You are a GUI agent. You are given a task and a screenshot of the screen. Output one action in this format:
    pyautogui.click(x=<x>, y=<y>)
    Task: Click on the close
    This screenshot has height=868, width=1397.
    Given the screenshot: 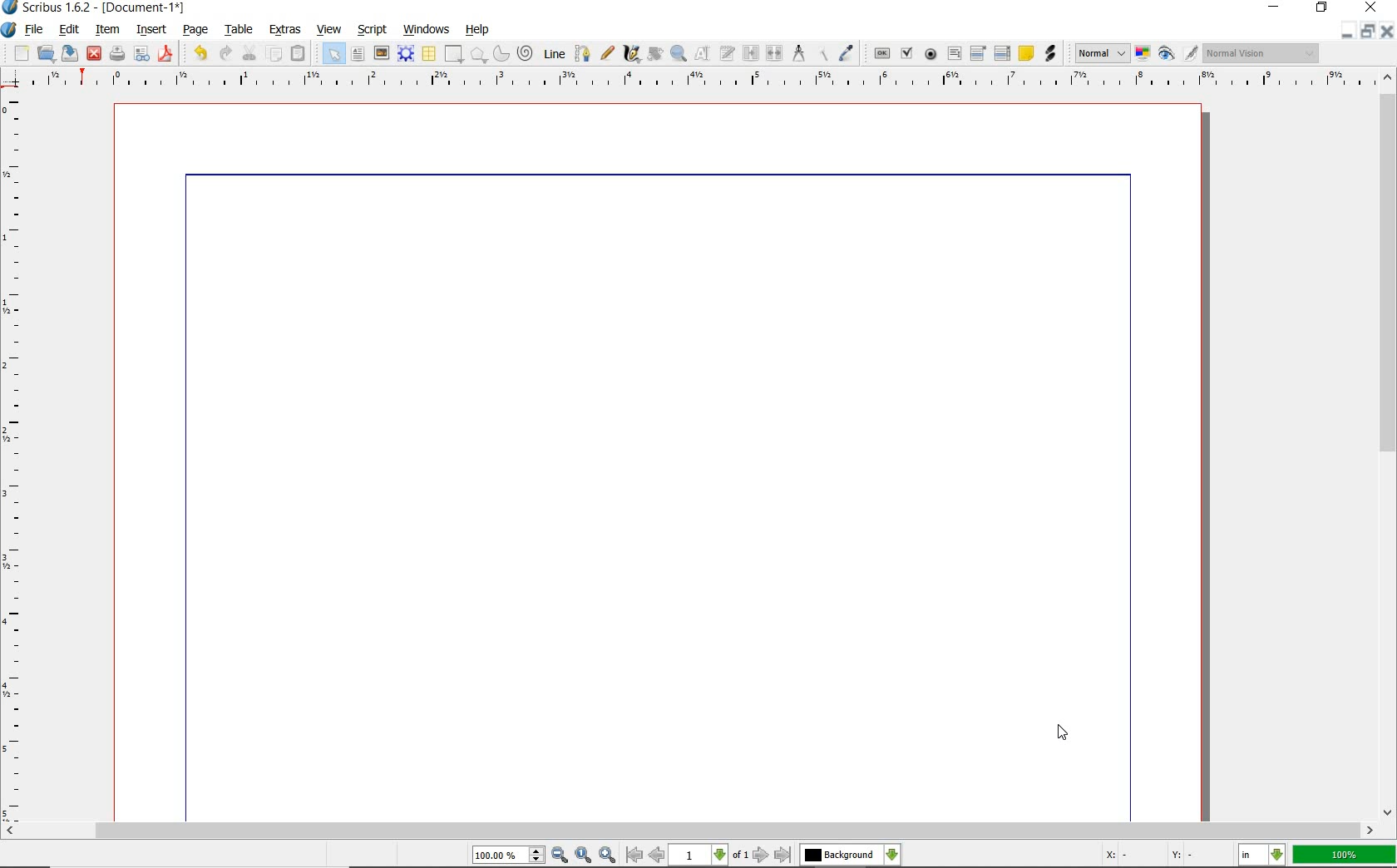 What is the action you would take?
    pyautogui.click(x=1370, y=6)
    